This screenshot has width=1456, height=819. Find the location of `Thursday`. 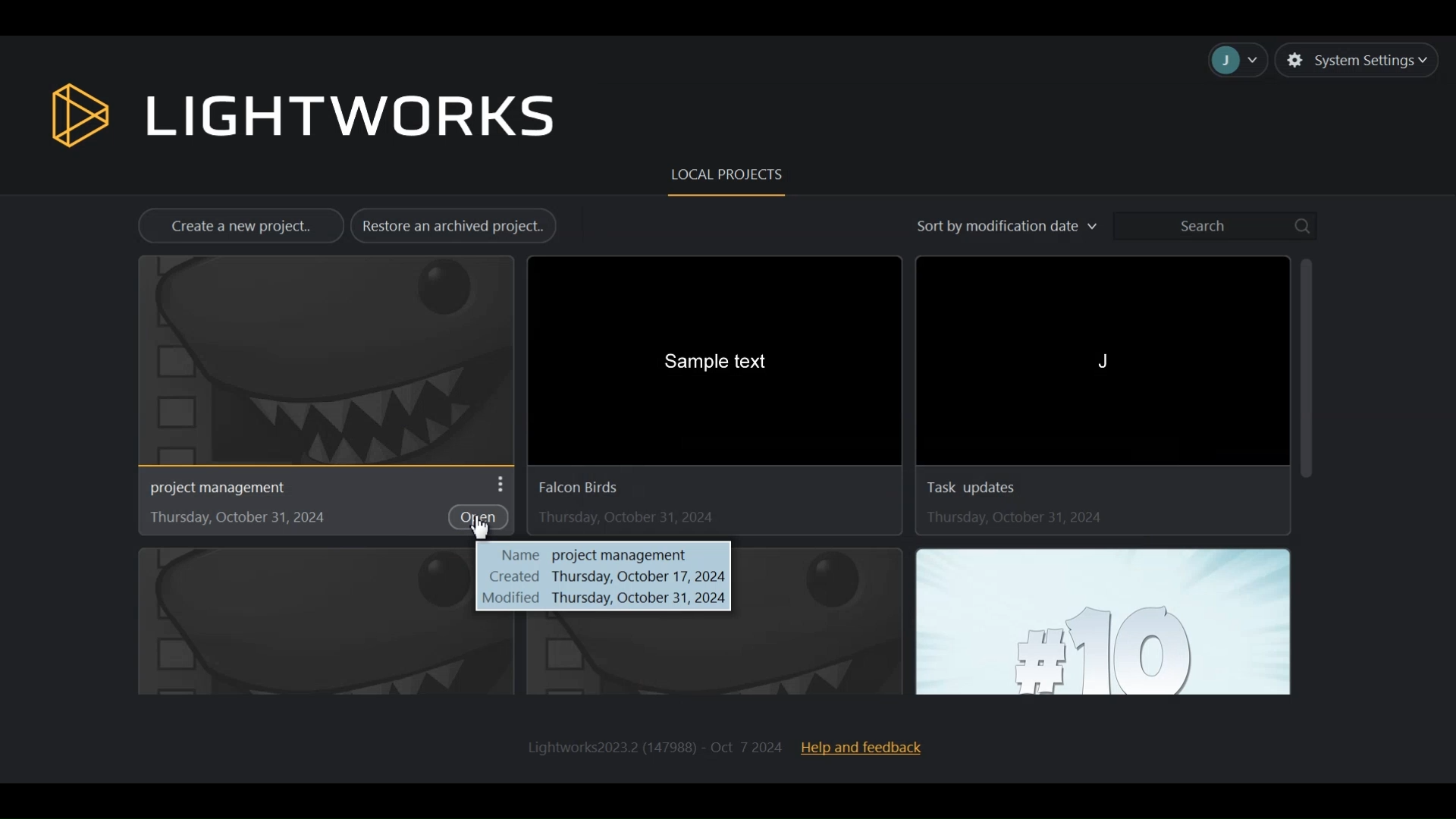

Thursday is located at coordinates (1025, 518).